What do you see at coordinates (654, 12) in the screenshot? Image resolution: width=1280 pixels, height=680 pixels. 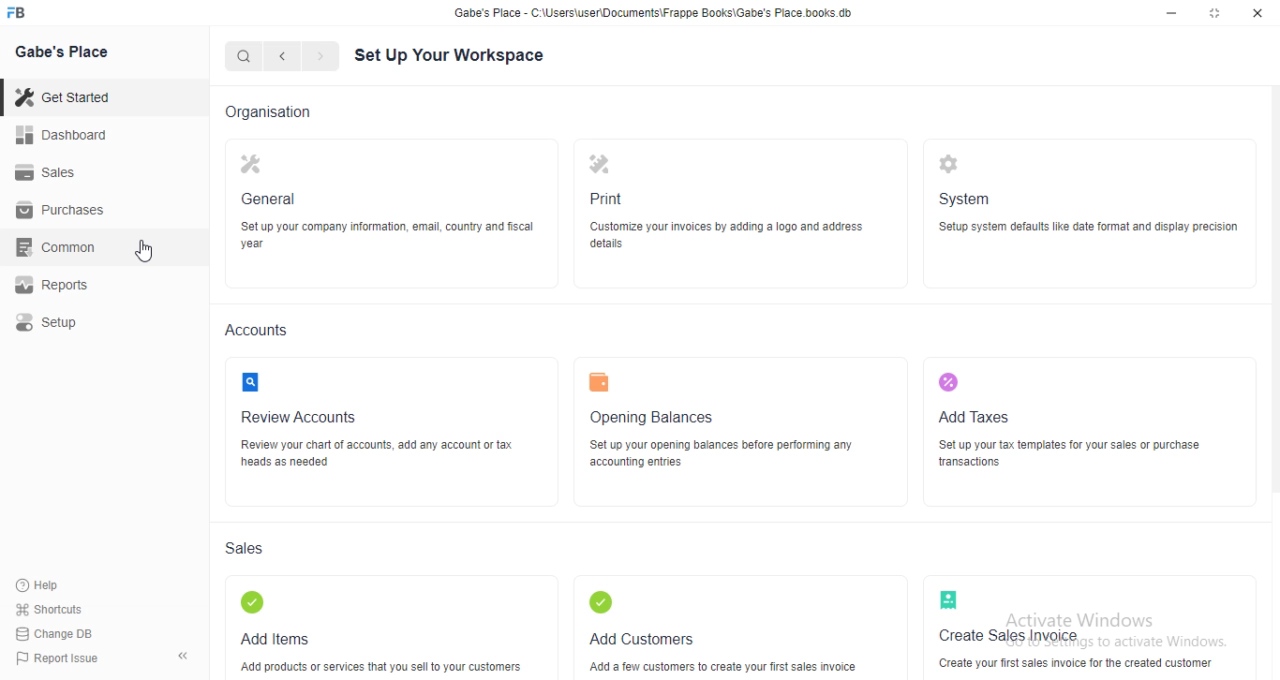 I see `‘Gabe's Place - C \Users\usenDocuments\Frappe Books\Gabe's Place books db` at bounding box center [654, 12].